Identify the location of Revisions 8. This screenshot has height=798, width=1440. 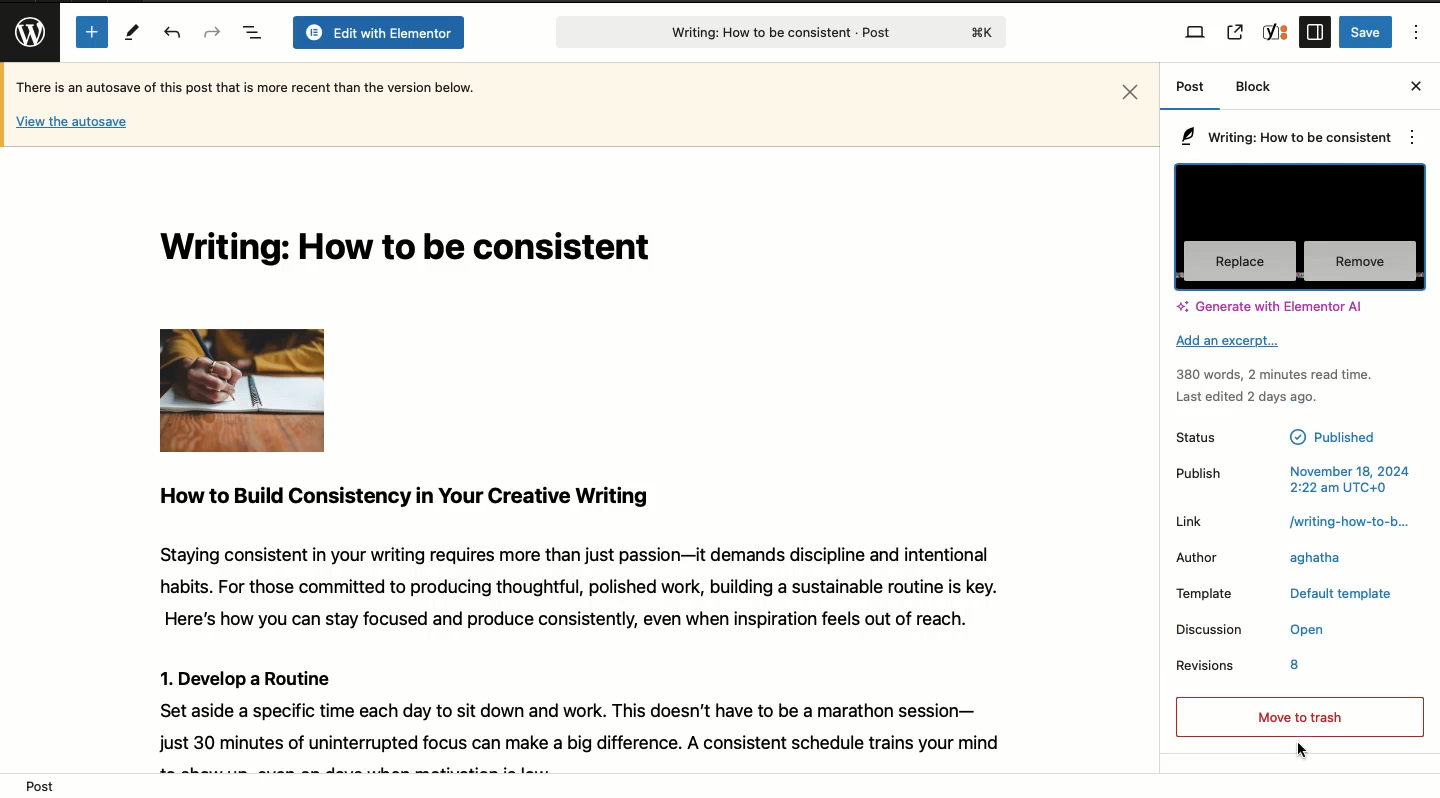
(1253, 666).